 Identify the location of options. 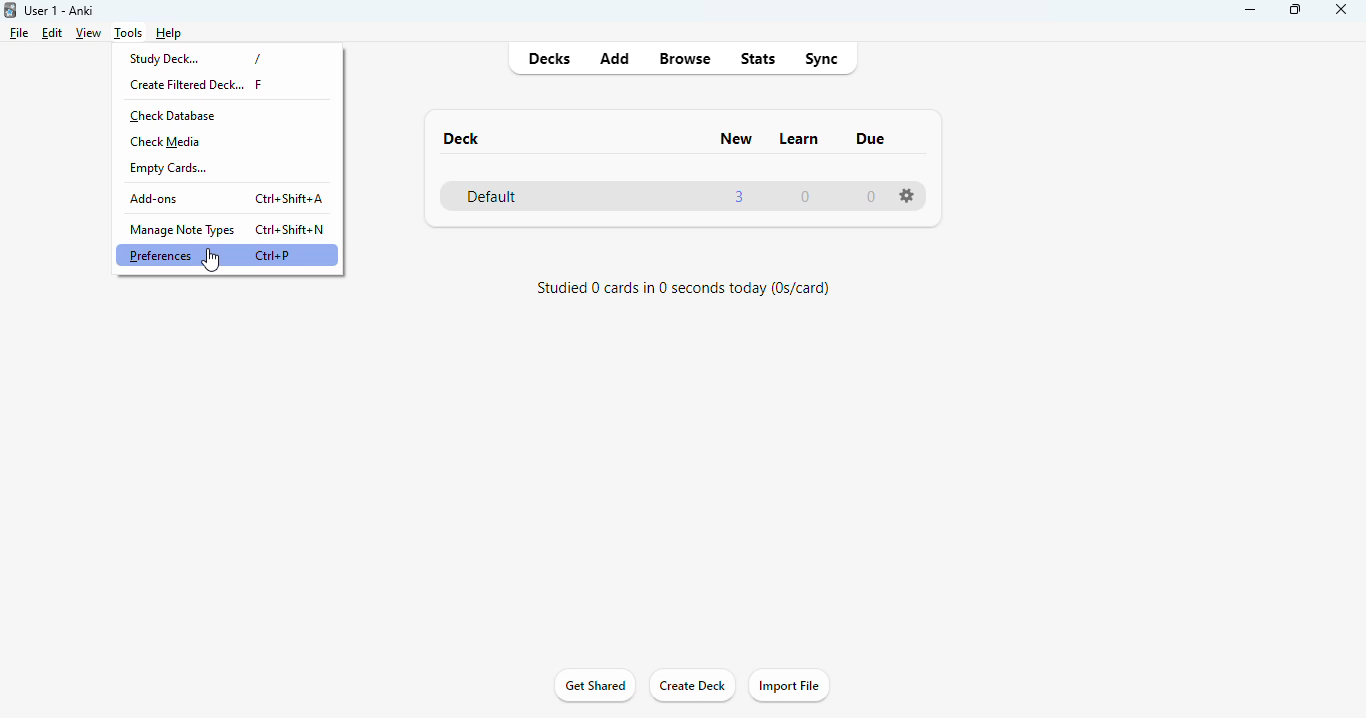
(906, 196).